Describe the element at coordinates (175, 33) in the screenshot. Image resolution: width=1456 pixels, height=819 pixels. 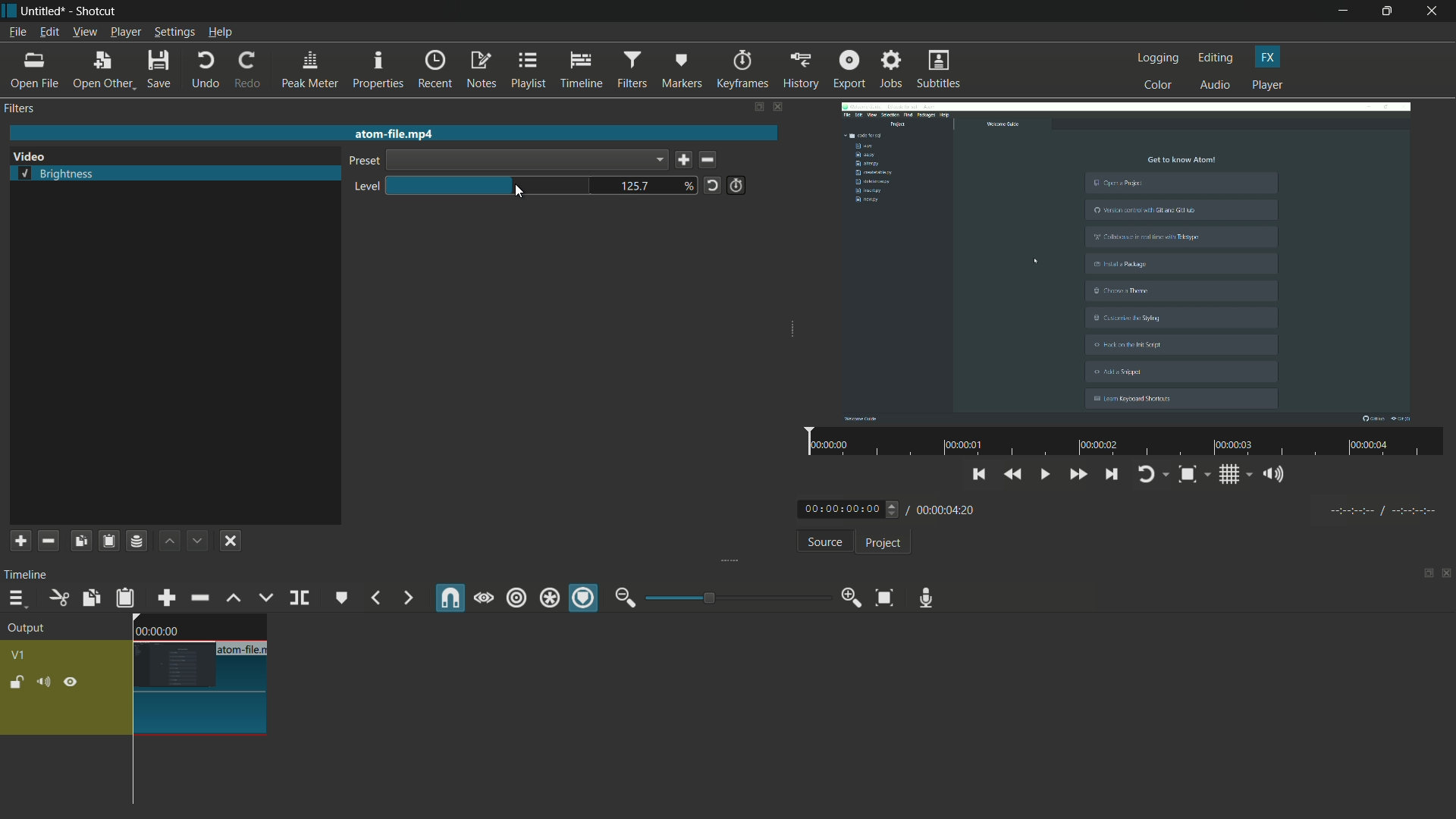
I see `settings menu` at that location.